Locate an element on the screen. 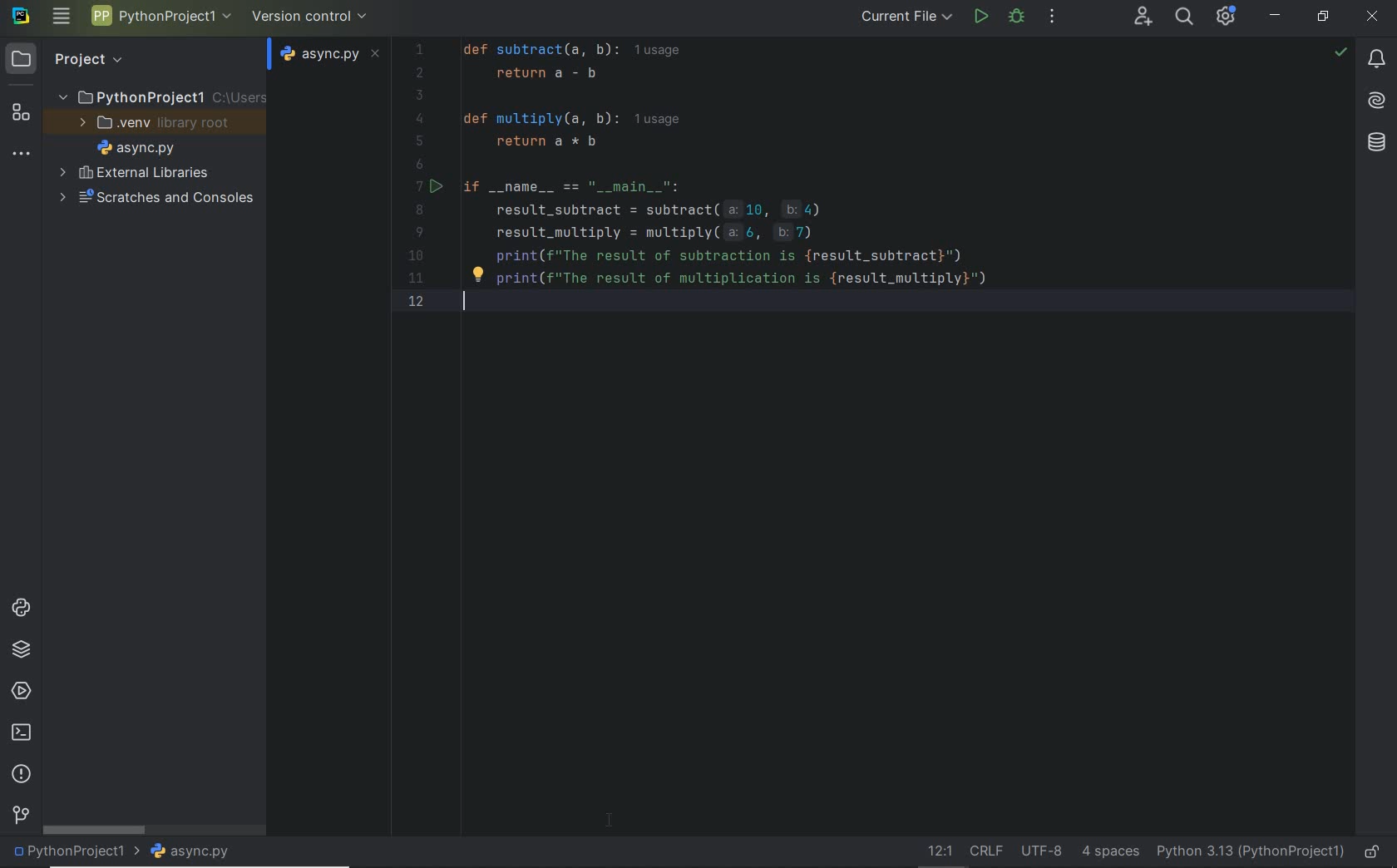  CLOSE is located at coordinates (1373, 15).